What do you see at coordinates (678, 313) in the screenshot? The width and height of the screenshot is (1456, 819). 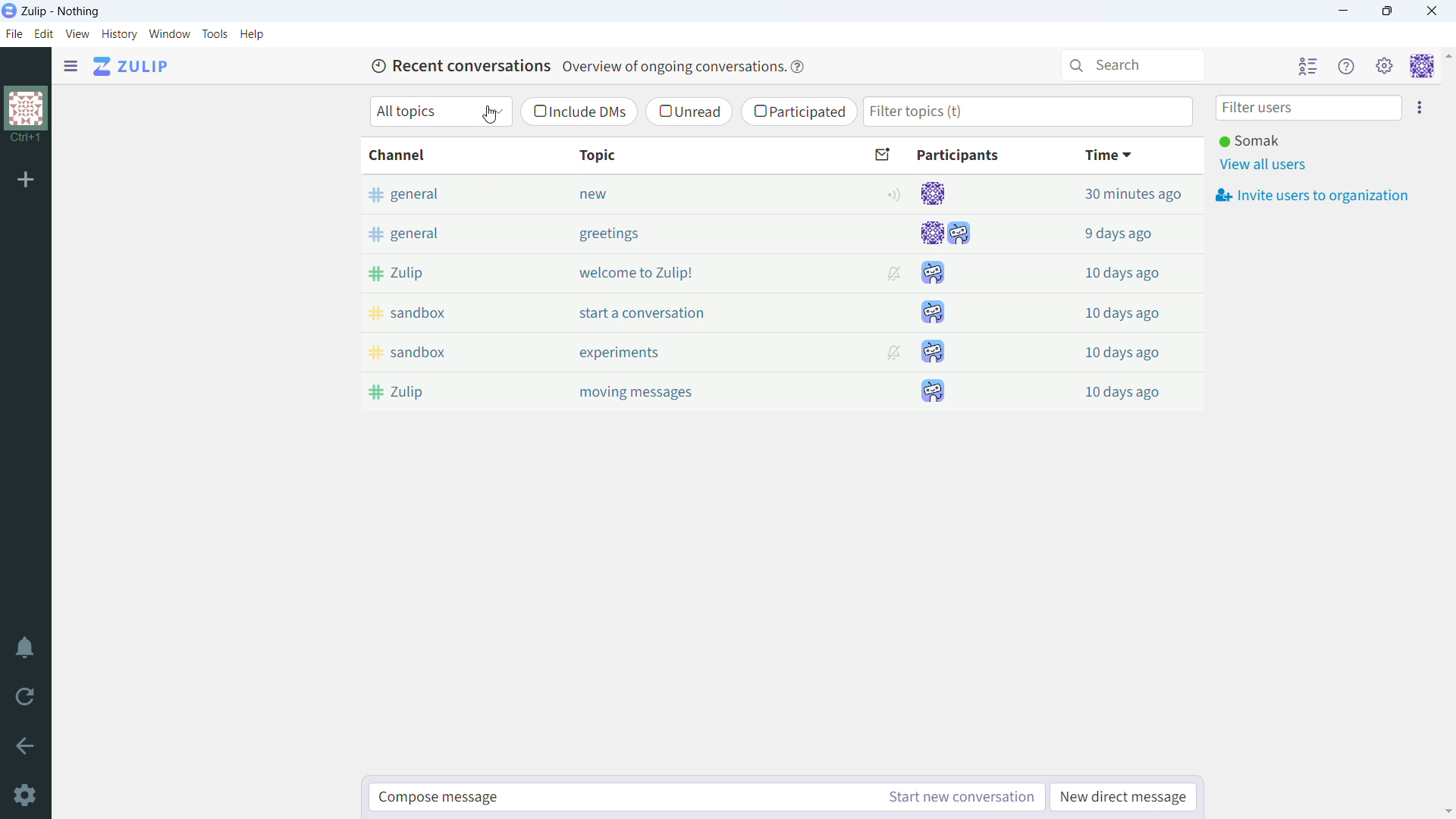 I see `start a conversation` at bounding box center [678, 313].